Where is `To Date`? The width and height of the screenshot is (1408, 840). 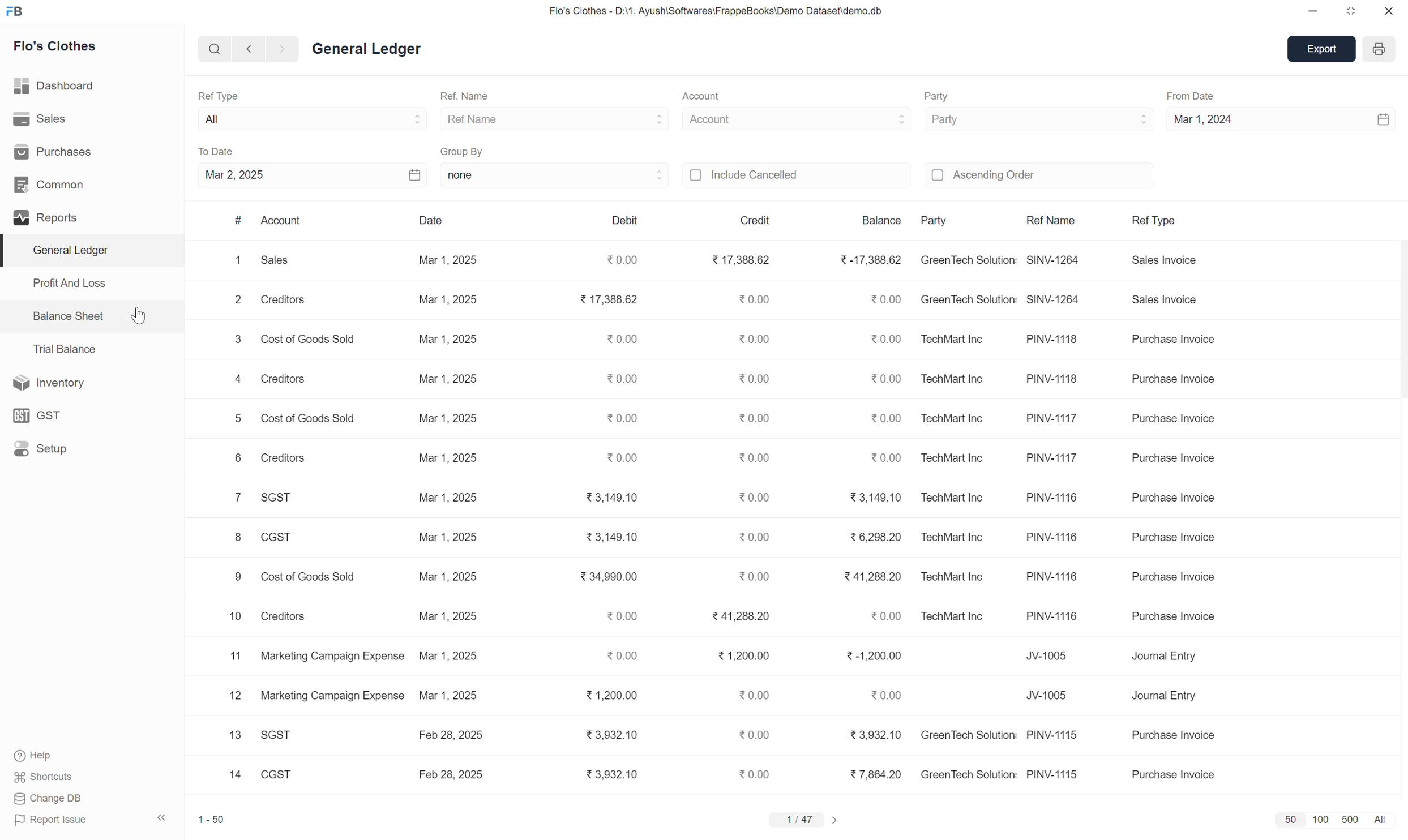 To Date is located at coordinates (215, 152).